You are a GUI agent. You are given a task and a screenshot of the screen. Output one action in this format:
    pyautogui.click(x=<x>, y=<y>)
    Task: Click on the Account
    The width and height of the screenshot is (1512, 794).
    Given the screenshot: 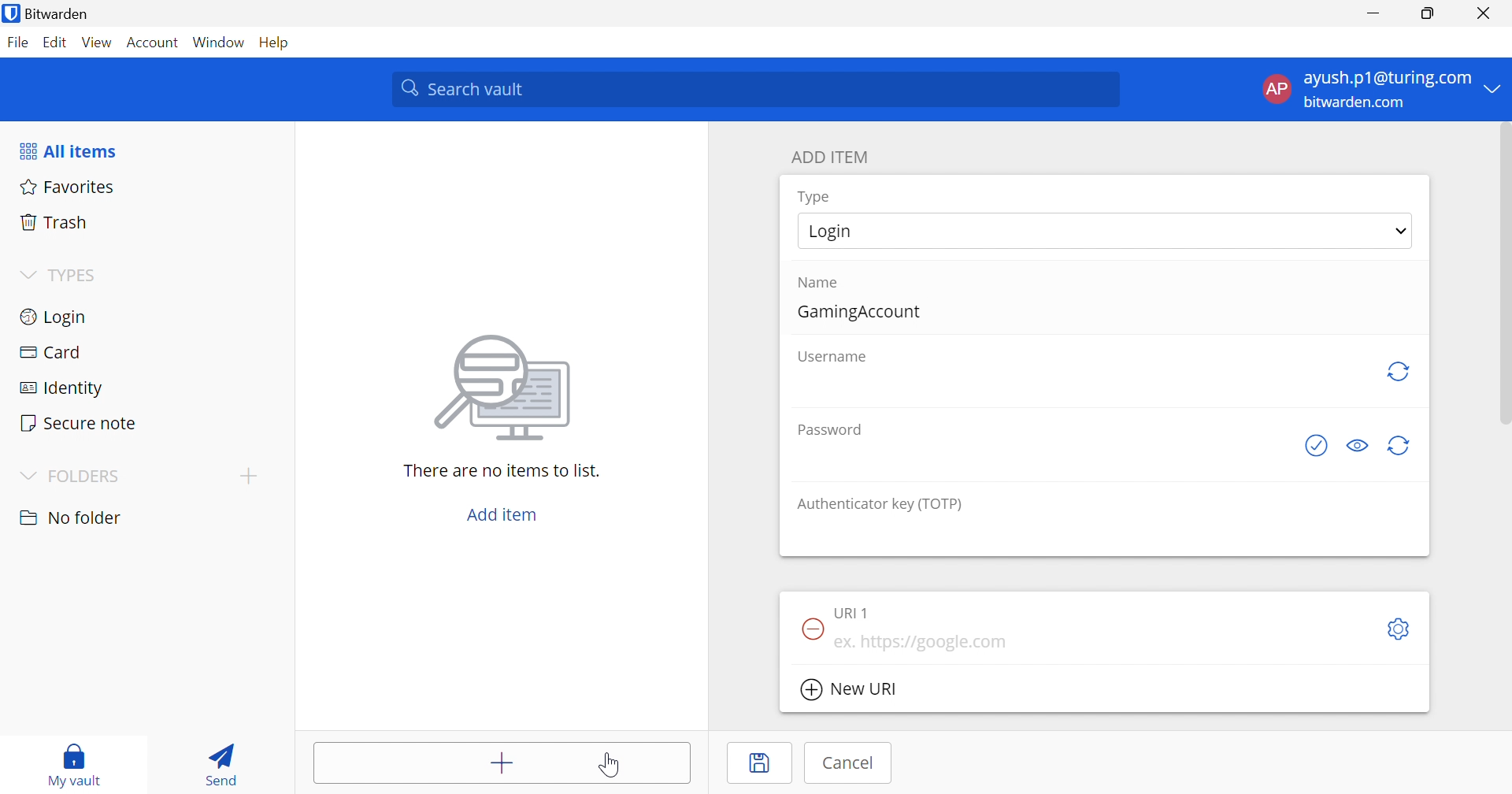 What is the action you would take?
    pyautogui.click(x=154, y=41)
    